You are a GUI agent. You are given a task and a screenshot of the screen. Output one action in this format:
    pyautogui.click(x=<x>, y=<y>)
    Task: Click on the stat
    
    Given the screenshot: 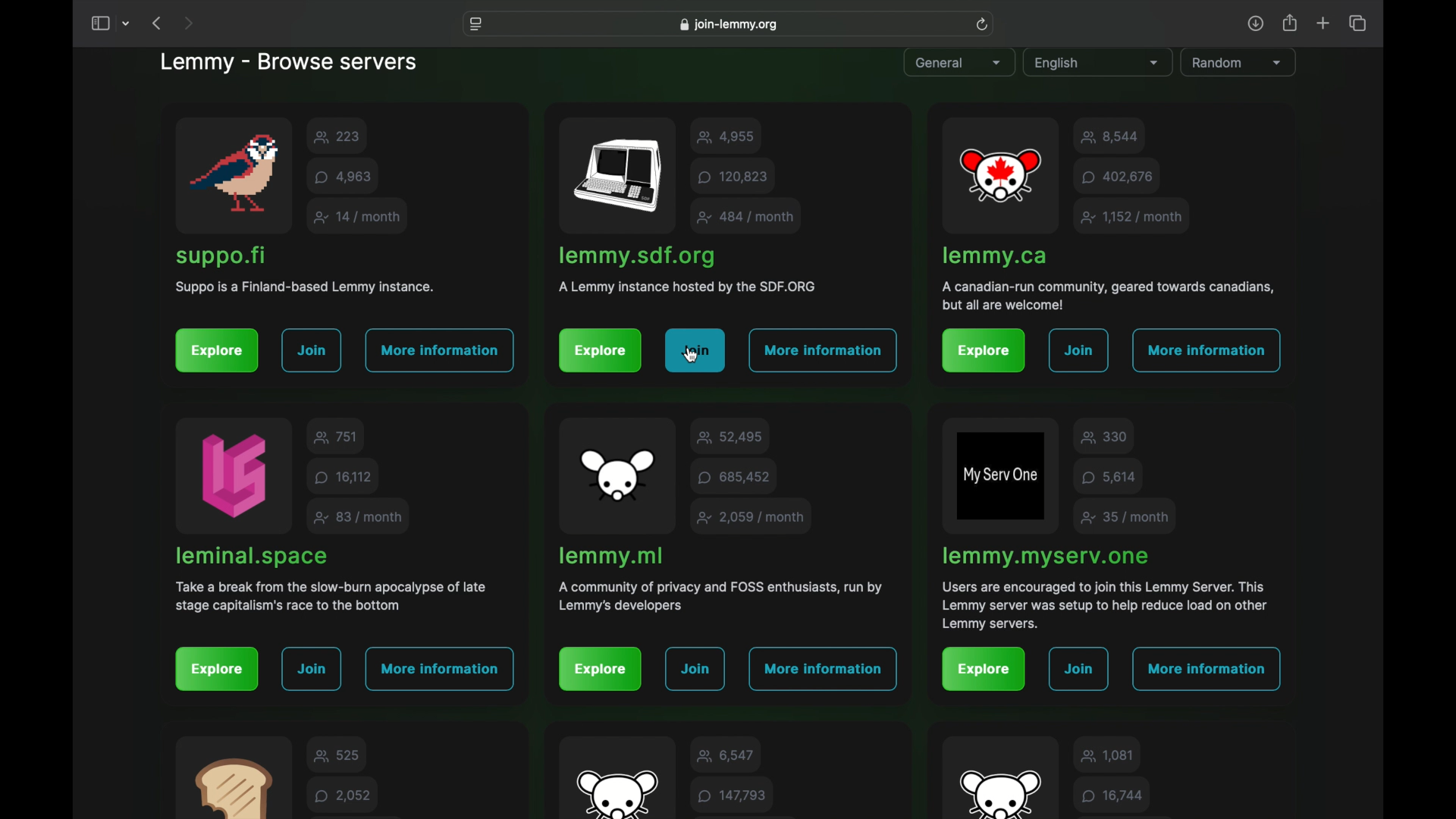 What is the action you would take?
    pyautogui.click(x=1132, y=217)
    